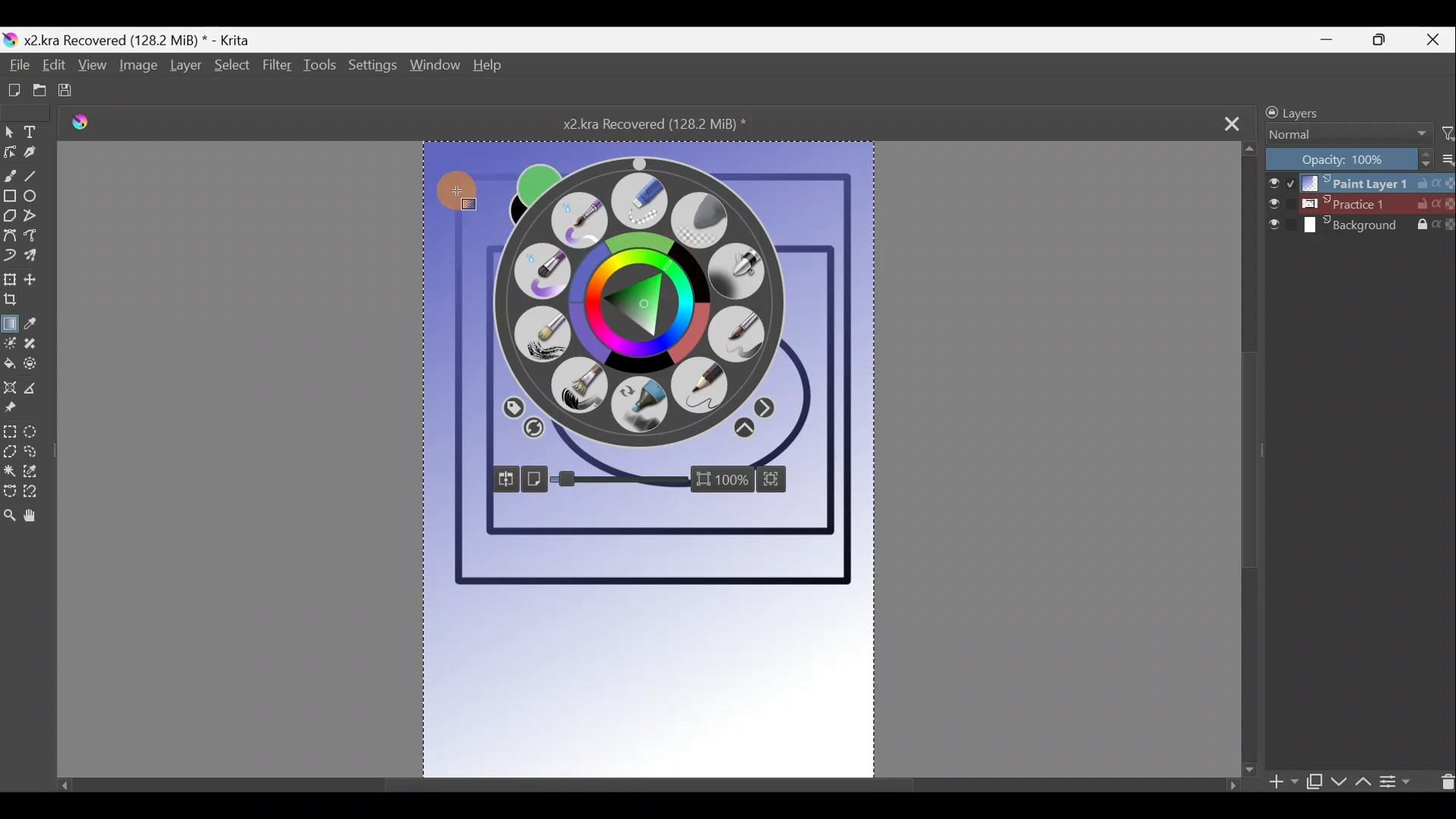  Describe the element at coordinates (11, 321) in the screenshot. I see `Draw a gradient` at that location.